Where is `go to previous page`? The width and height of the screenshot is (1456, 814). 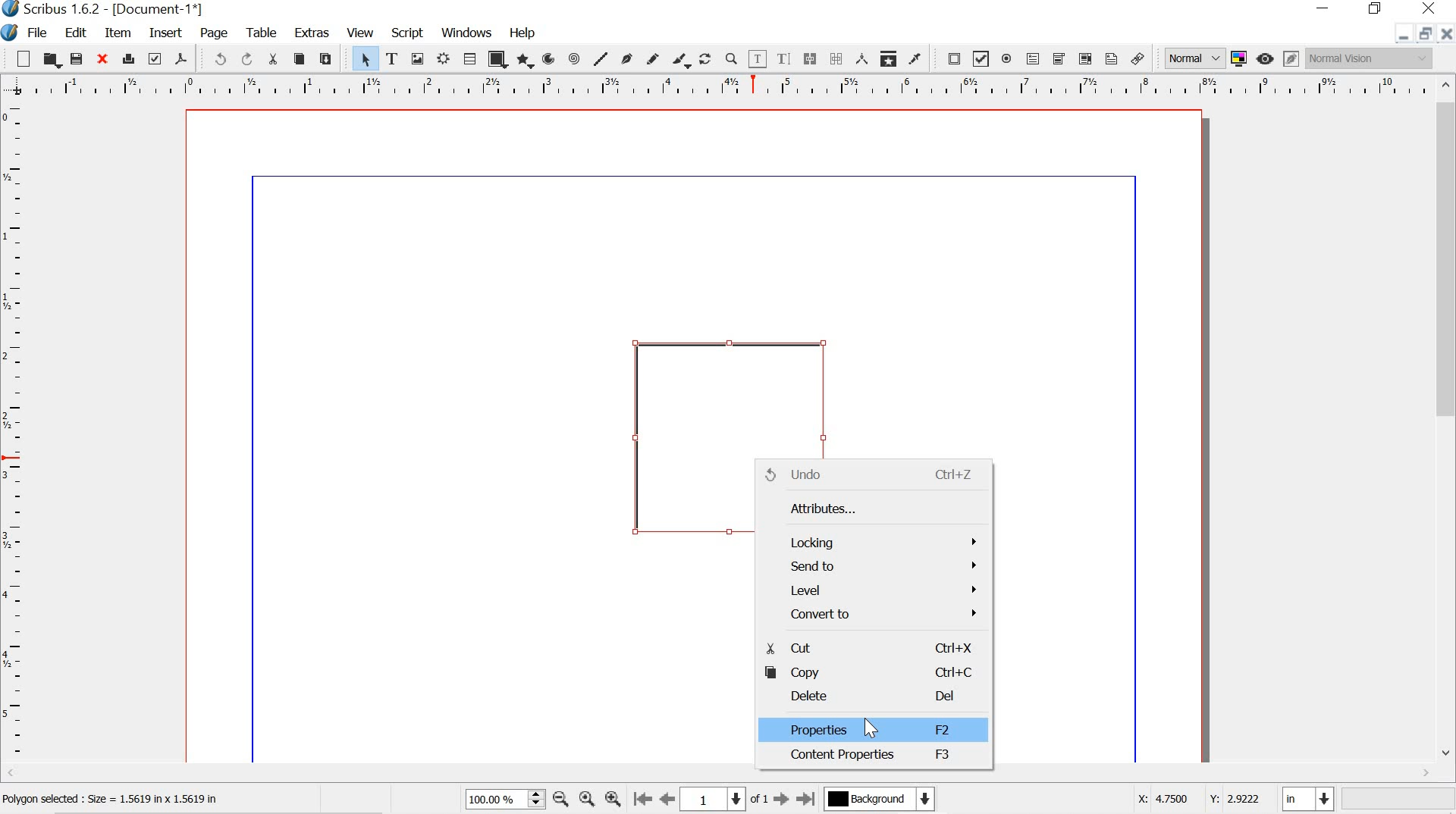
go to previous page is located at coordinates (669, 800).